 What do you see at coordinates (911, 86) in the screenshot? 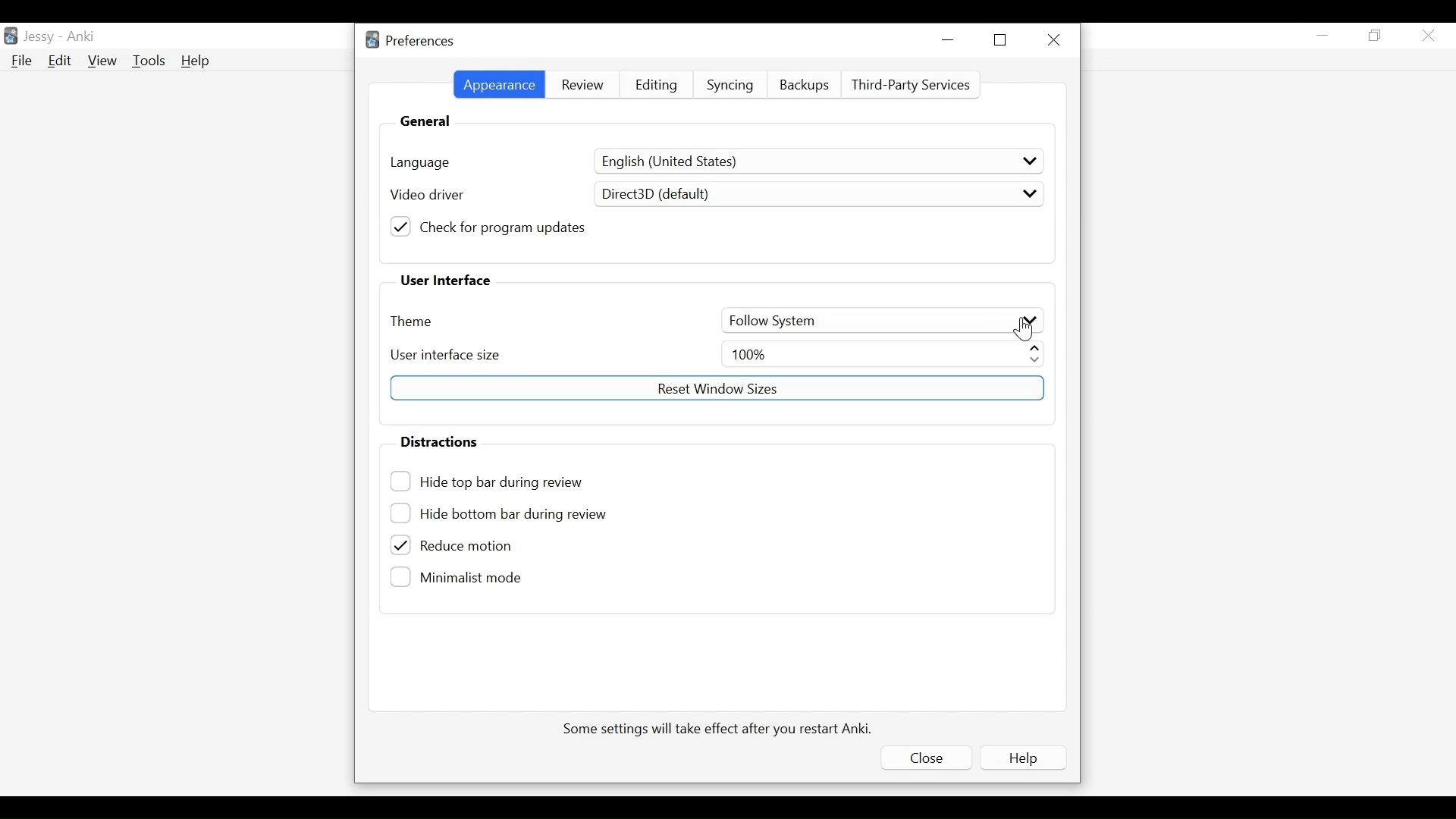
I see `Third Party Services` at bounding box center [911, 86].